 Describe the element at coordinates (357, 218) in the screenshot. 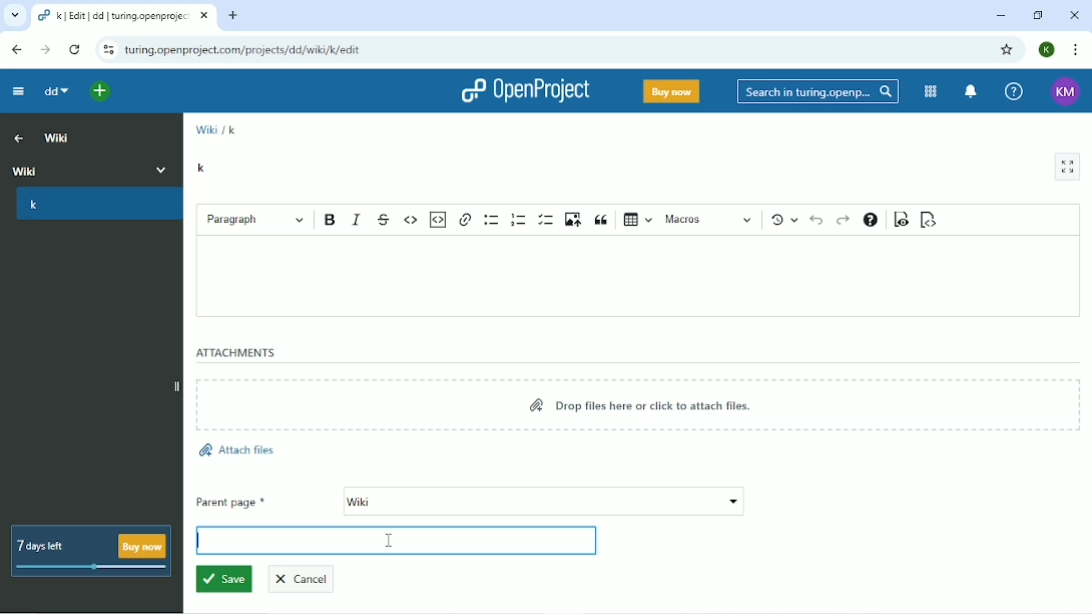

I see `Italic` at that location.